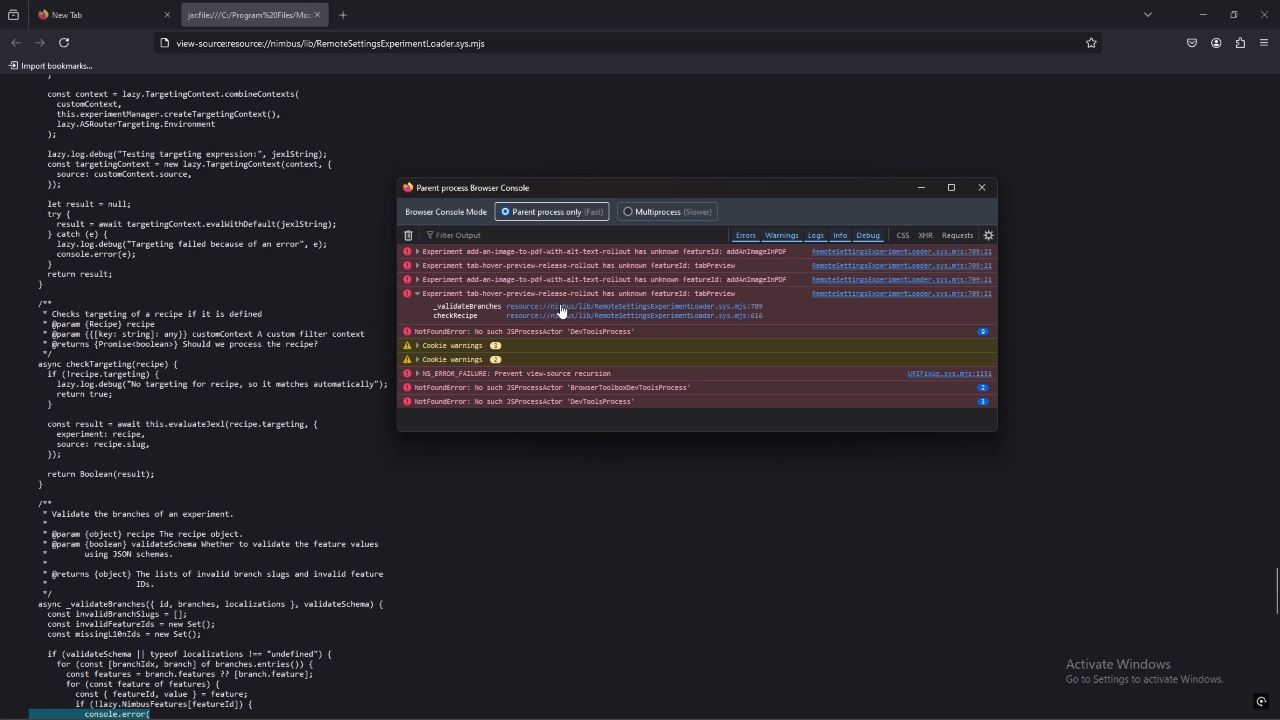  Describe the element at coordinates (1191, 43) in the screenshot. I see `save to pocket` at that location.